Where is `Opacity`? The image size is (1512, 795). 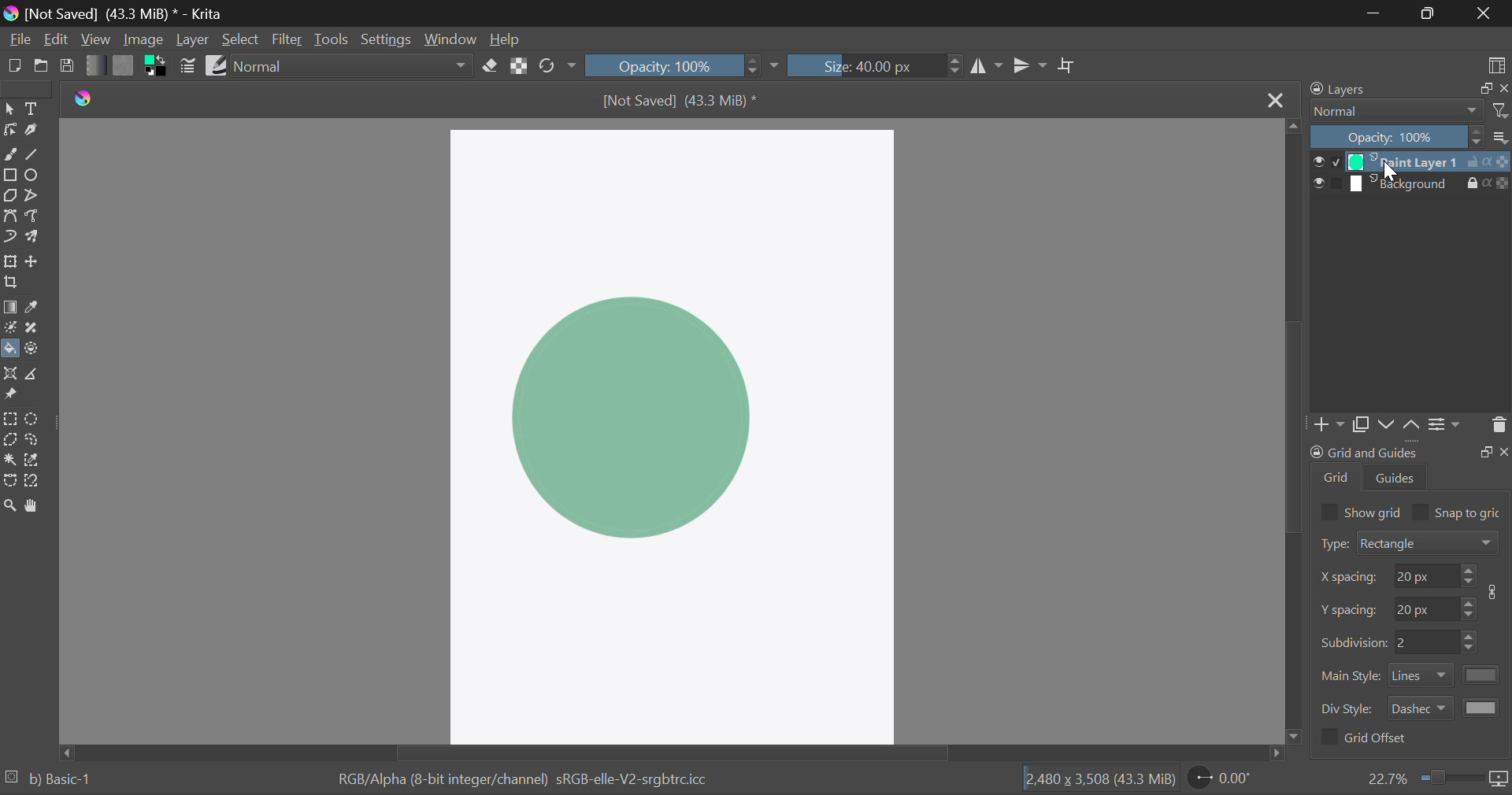
Opacity is located at coordinates (684, 65).